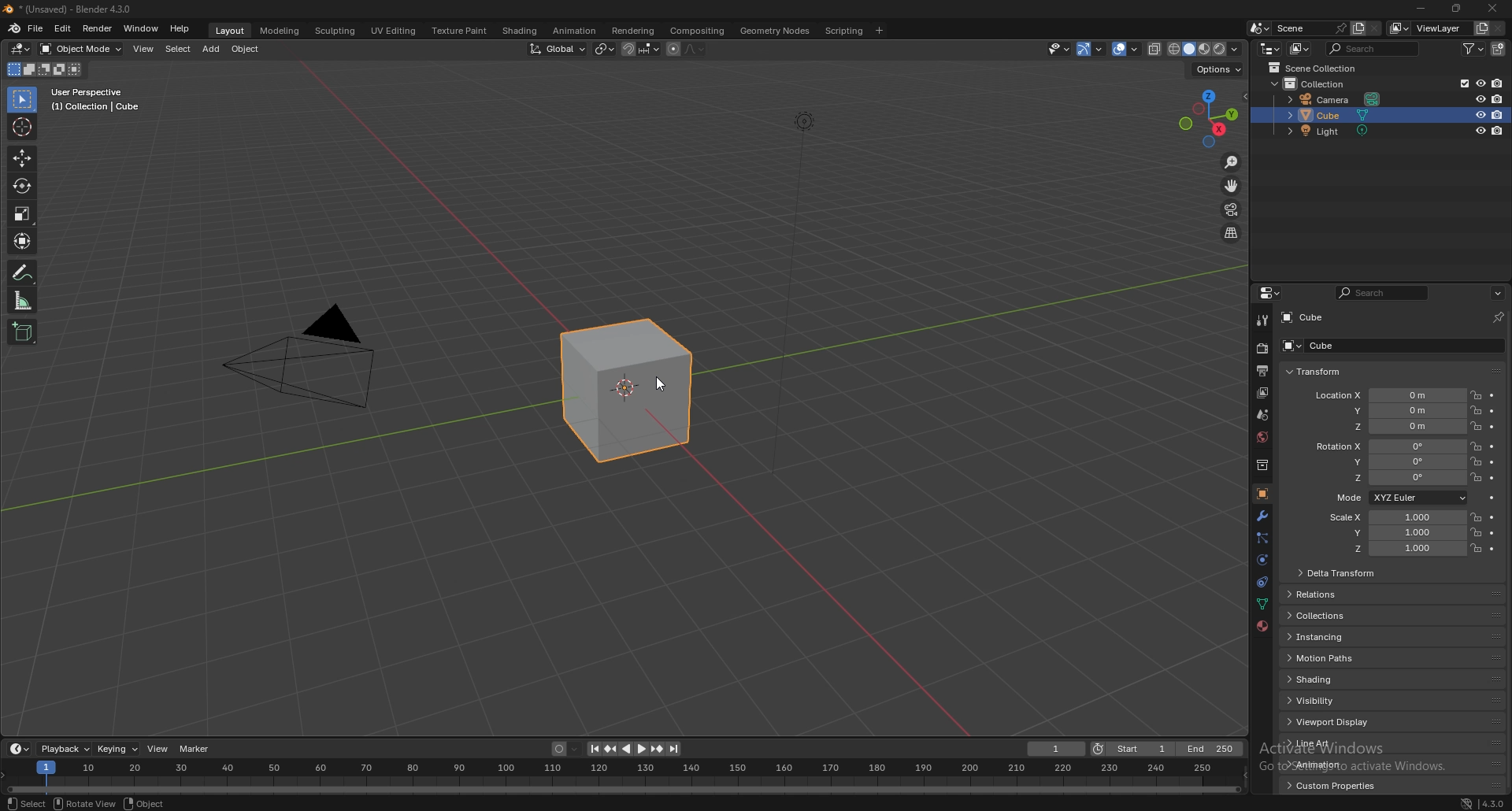  I want to click on mode, so click(44, 69).